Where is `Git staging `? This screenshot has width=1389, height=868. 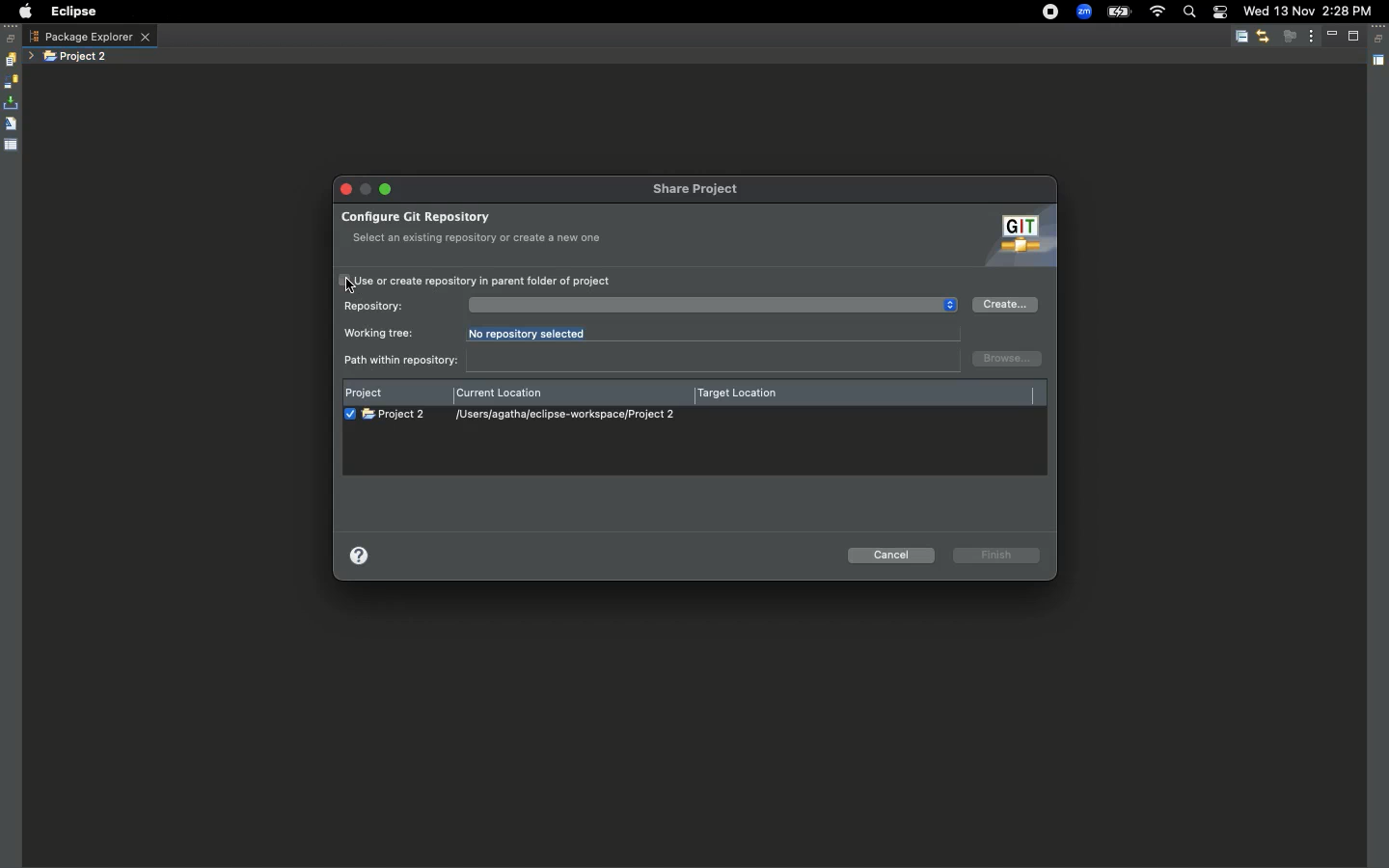 Git staging  is located at coordinates (13, 103).